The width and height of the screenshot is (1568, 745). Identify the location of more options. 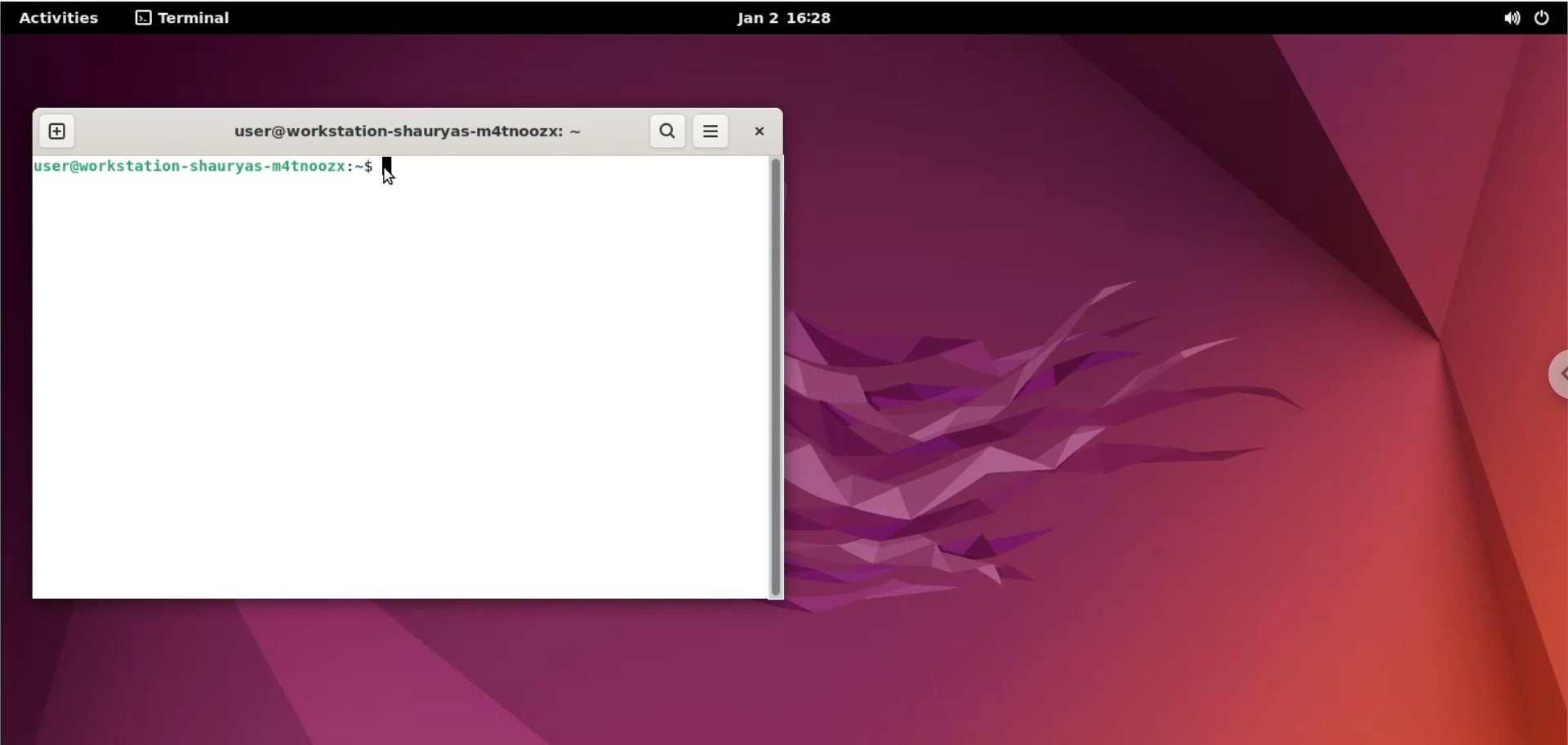
(709, 132).